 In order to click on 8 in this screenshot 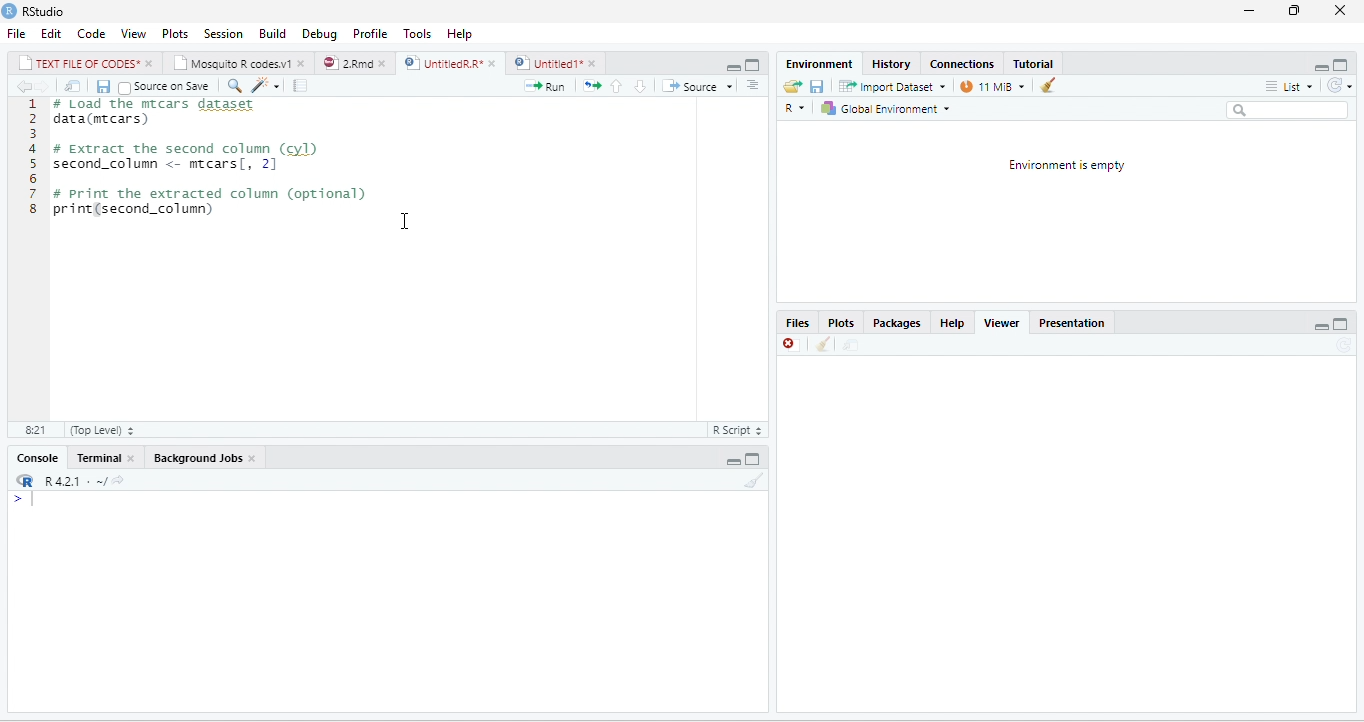, I will do `click(32, 209)`.